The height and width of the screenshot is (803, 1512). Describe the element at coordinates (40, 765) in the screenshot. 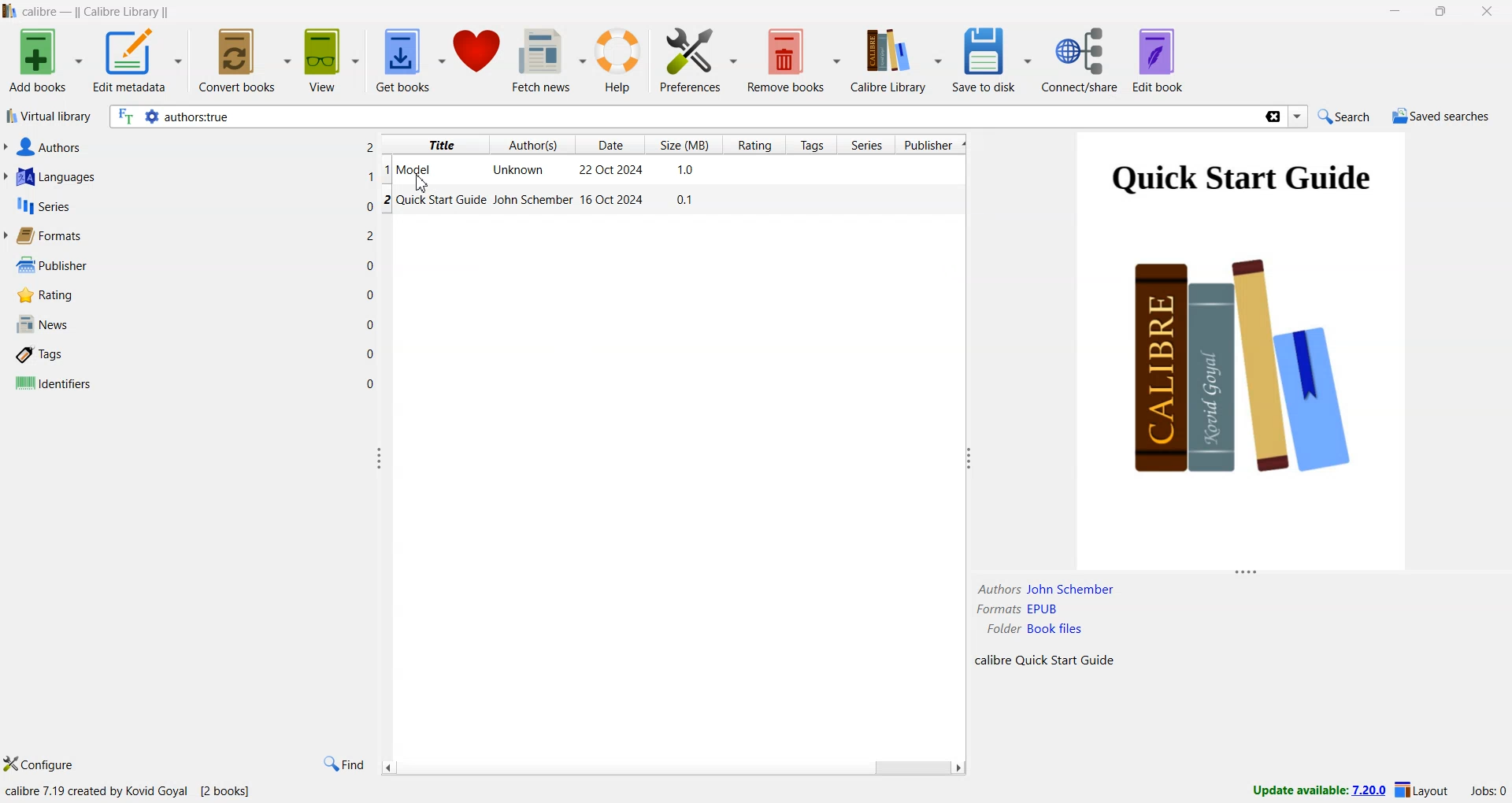

I see `configure` at that location.